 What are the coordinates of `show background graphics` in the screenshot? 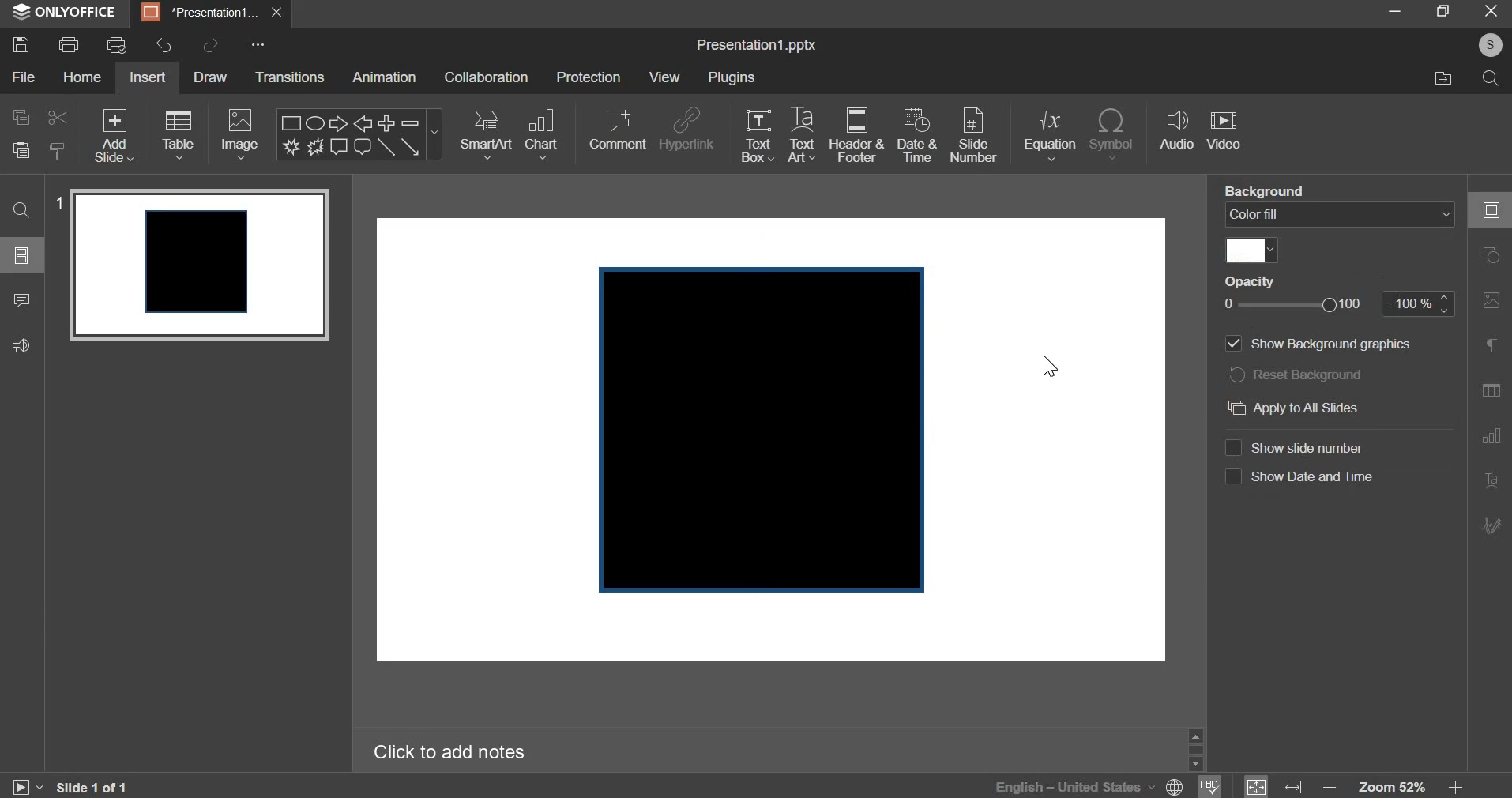 It's located at (1318, 343).